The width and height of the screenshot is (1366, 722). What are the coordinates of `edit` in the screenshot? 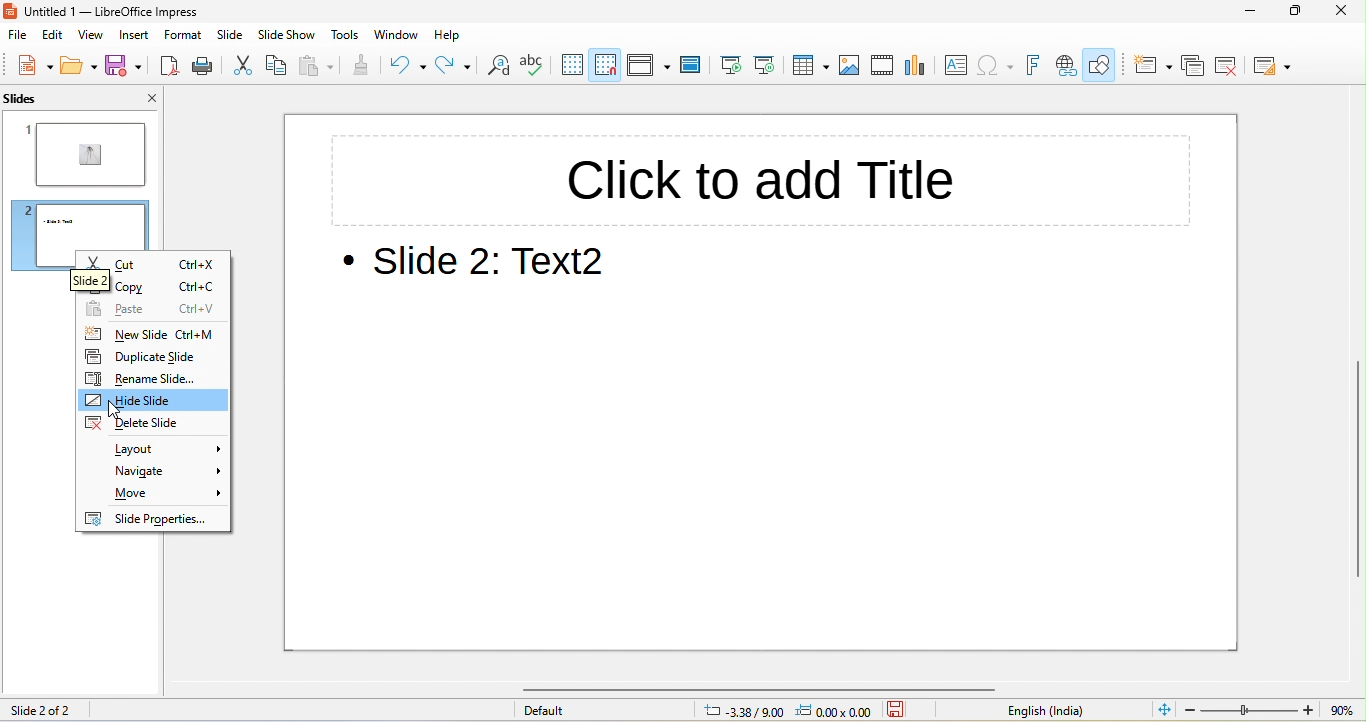 It's located at (56, 38).